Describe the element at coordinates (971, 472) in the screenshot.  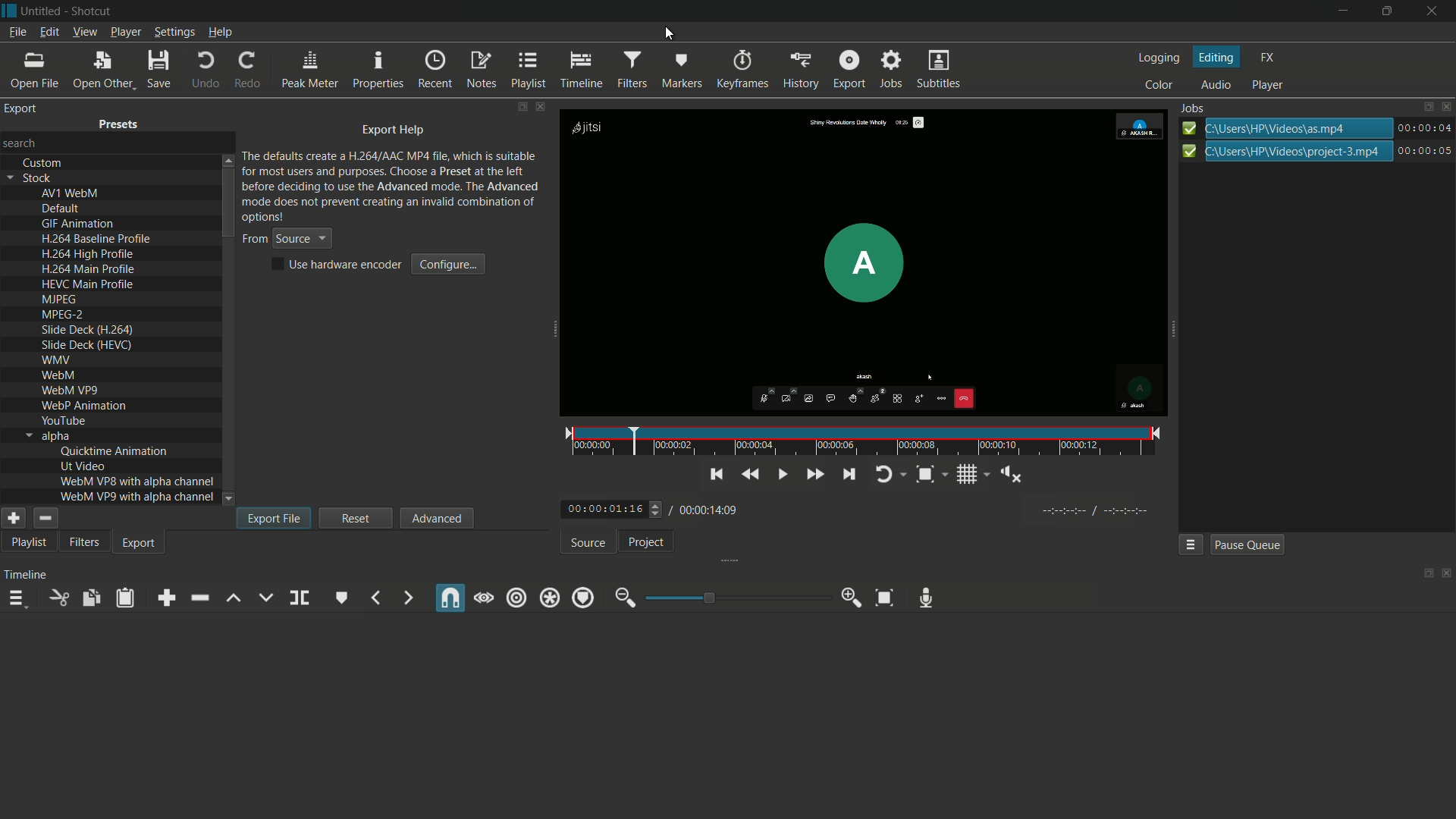
I see `toggle grid` at that location.